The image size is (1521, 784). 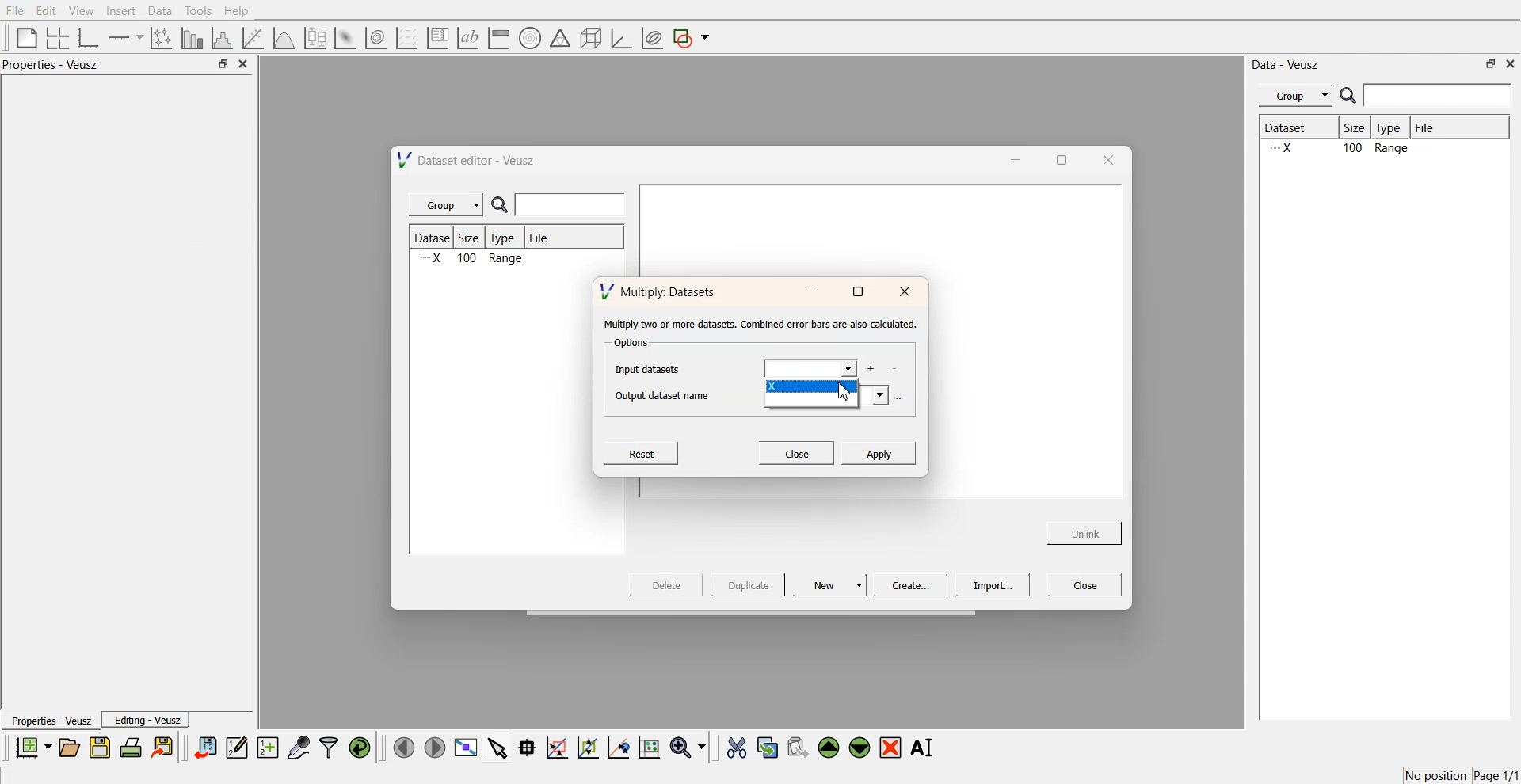 I want to click on close, so click(x=1107, y=159).